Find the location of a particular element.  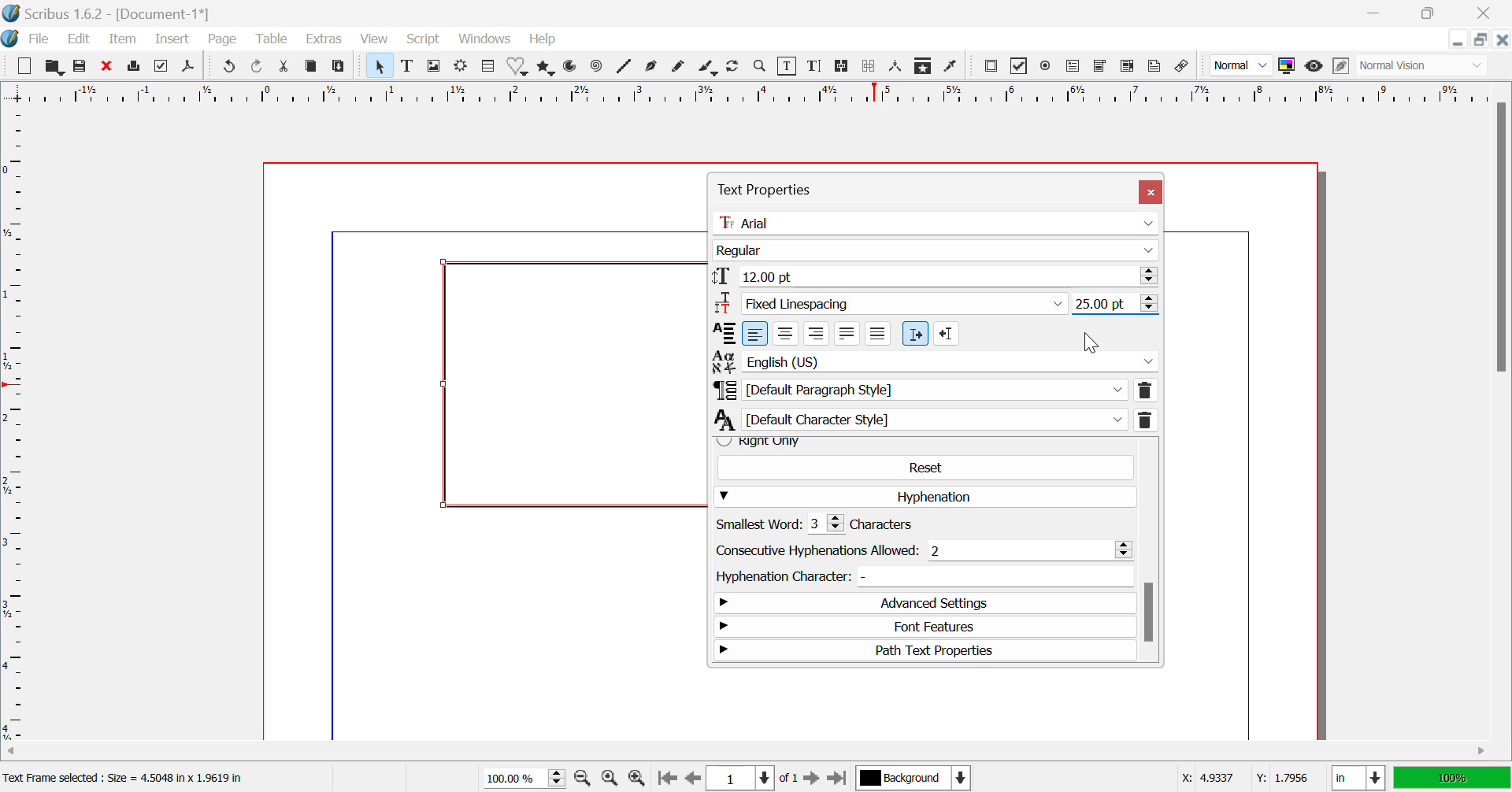

12.00 pt is located at coordinates (936, 276).